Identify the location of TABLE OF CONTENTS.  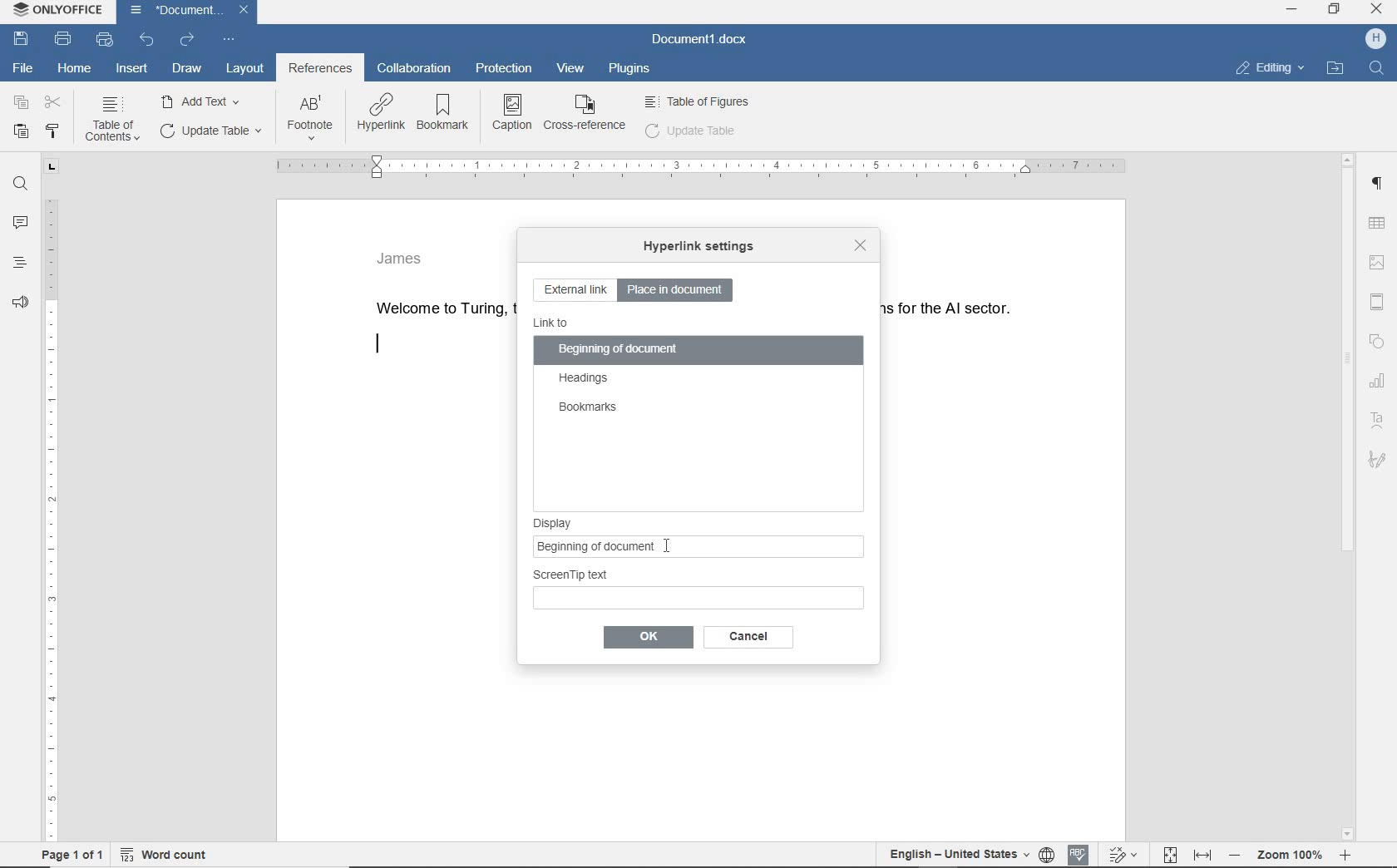
(116, 120).